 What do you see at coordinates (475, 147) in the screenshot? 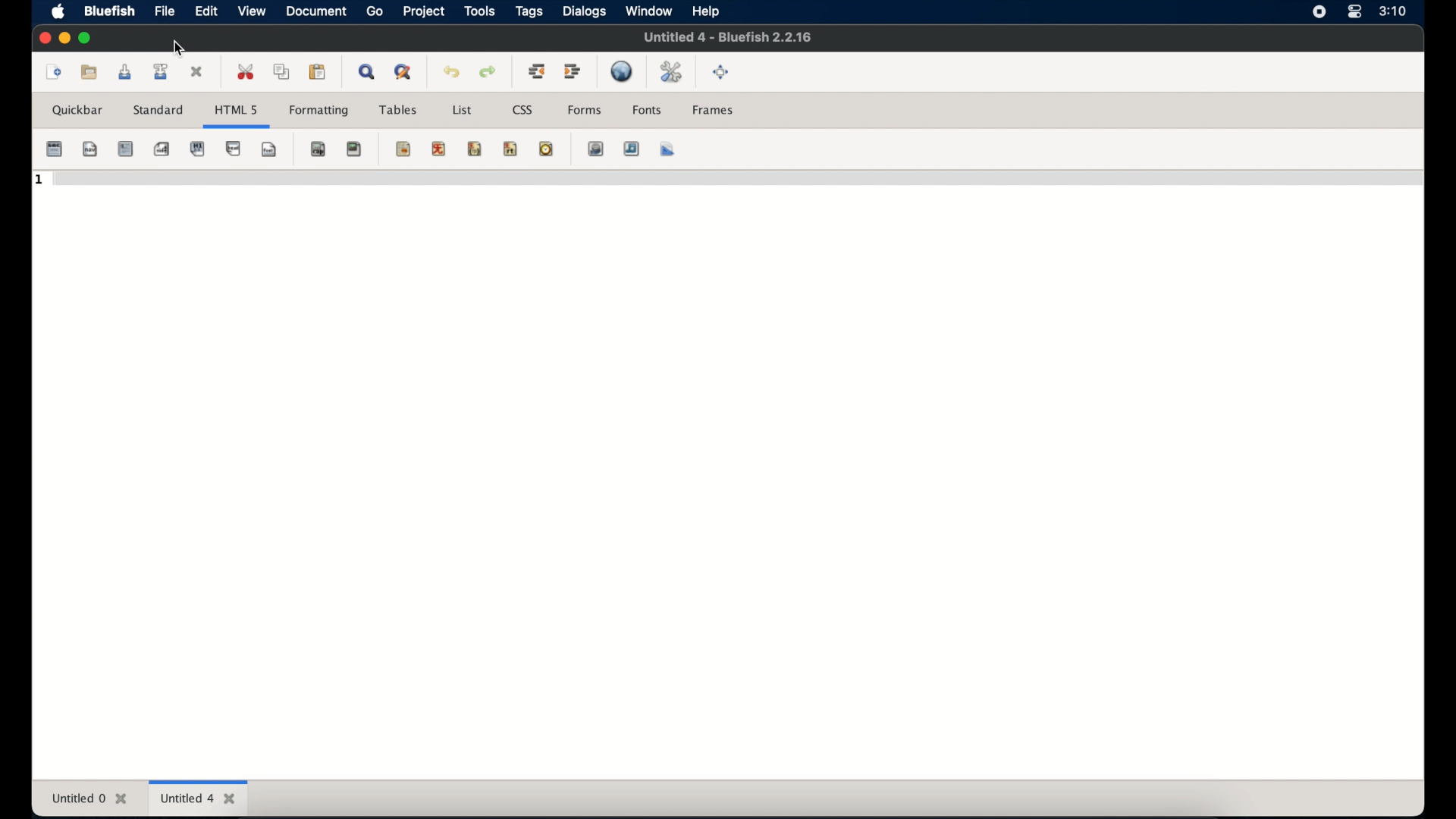
I see `right justify` at bounding box center [475, 147].